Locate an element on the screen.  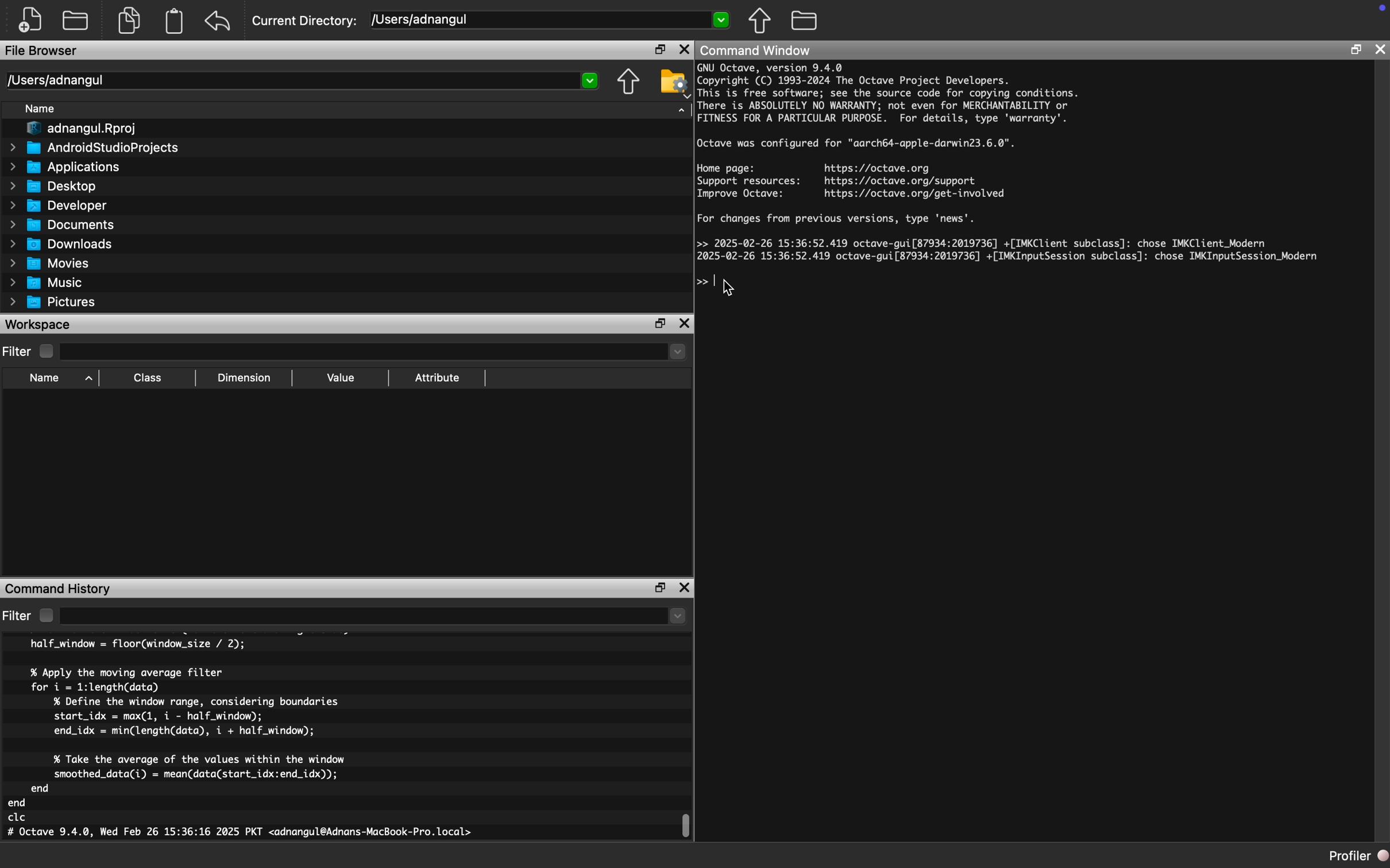
/Users/adnangul  is located at coordinates (303, 80).